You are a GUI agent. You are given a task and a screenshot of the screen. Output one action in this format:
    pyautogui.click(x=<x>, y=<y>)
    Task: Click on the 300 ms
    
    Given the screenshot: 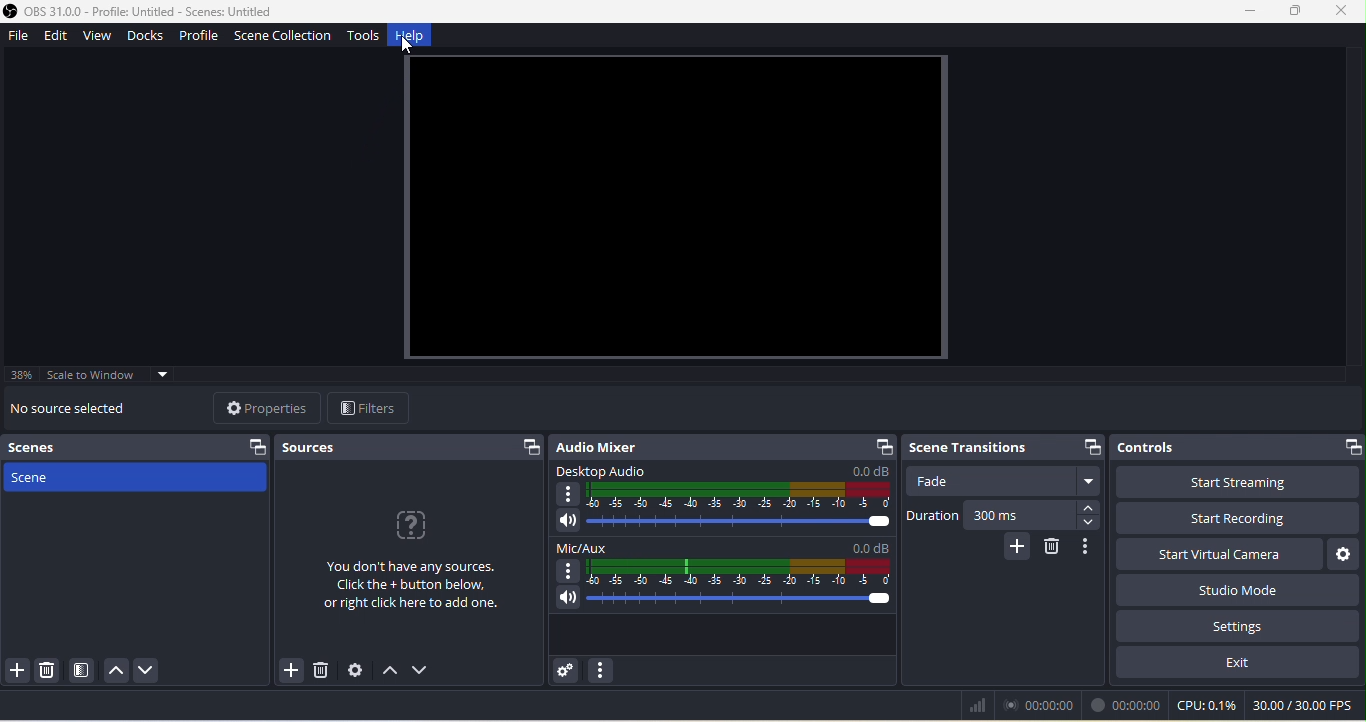 What is the action you would take?
    pyautogui.click(x=1039, y=518)
    